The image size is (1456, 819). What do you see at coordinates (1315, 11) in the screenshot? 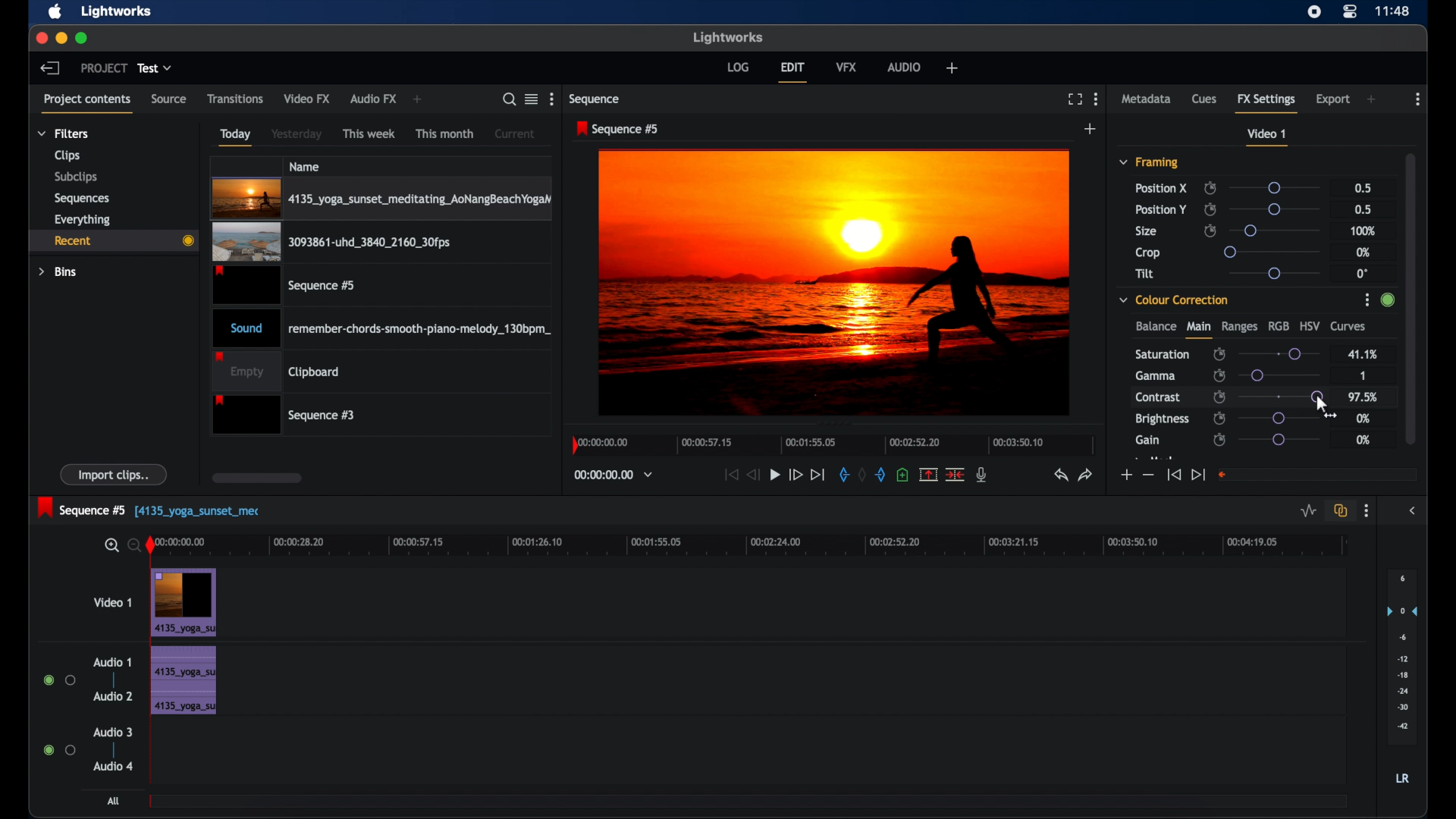
I see `screen recorder` at bounding box center [1315, 11].